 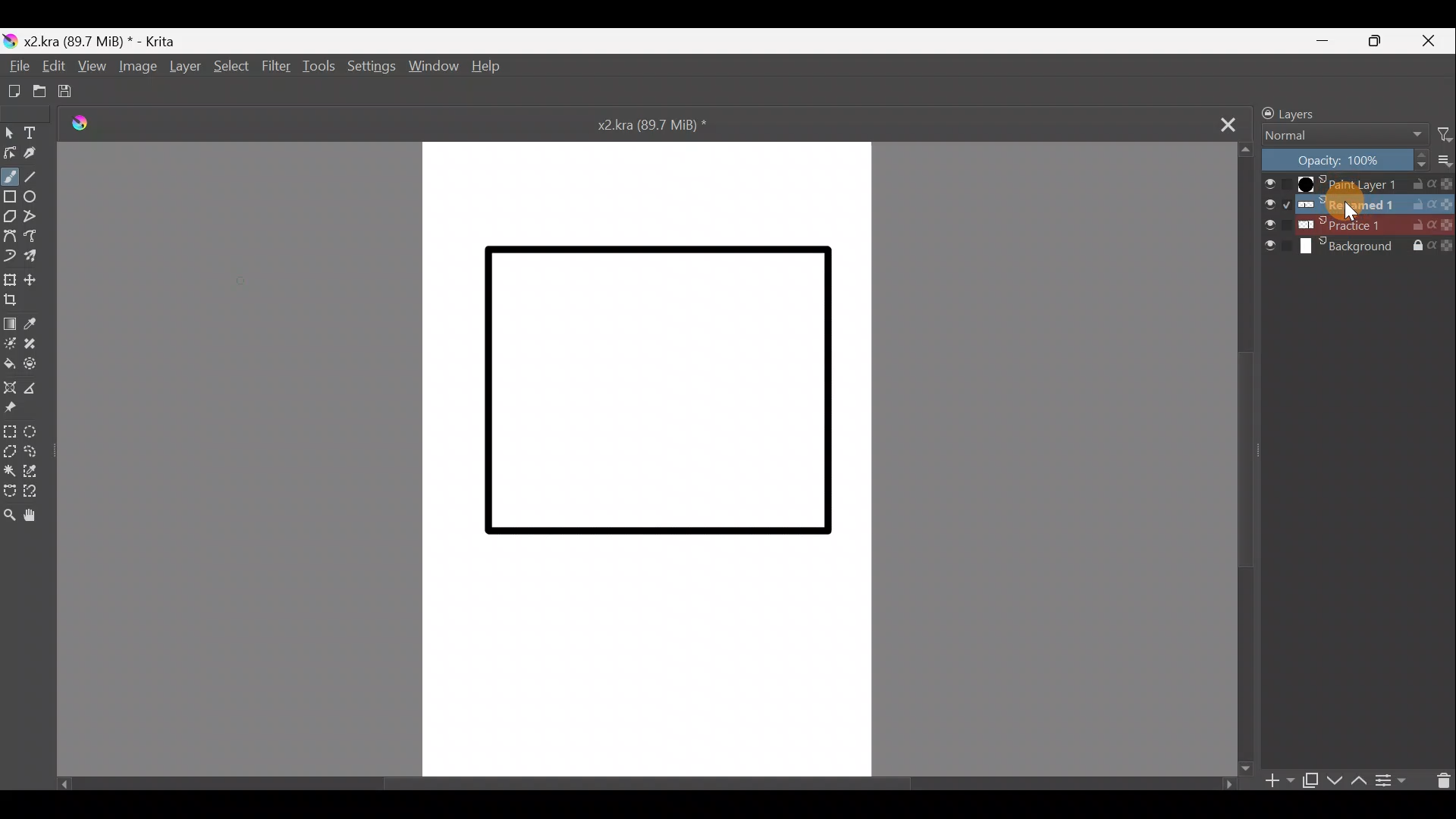 What do you see at coordinates (12, 177) in the screenshot?
I see `Freehand brush tool` at bounding box center [12, 177].